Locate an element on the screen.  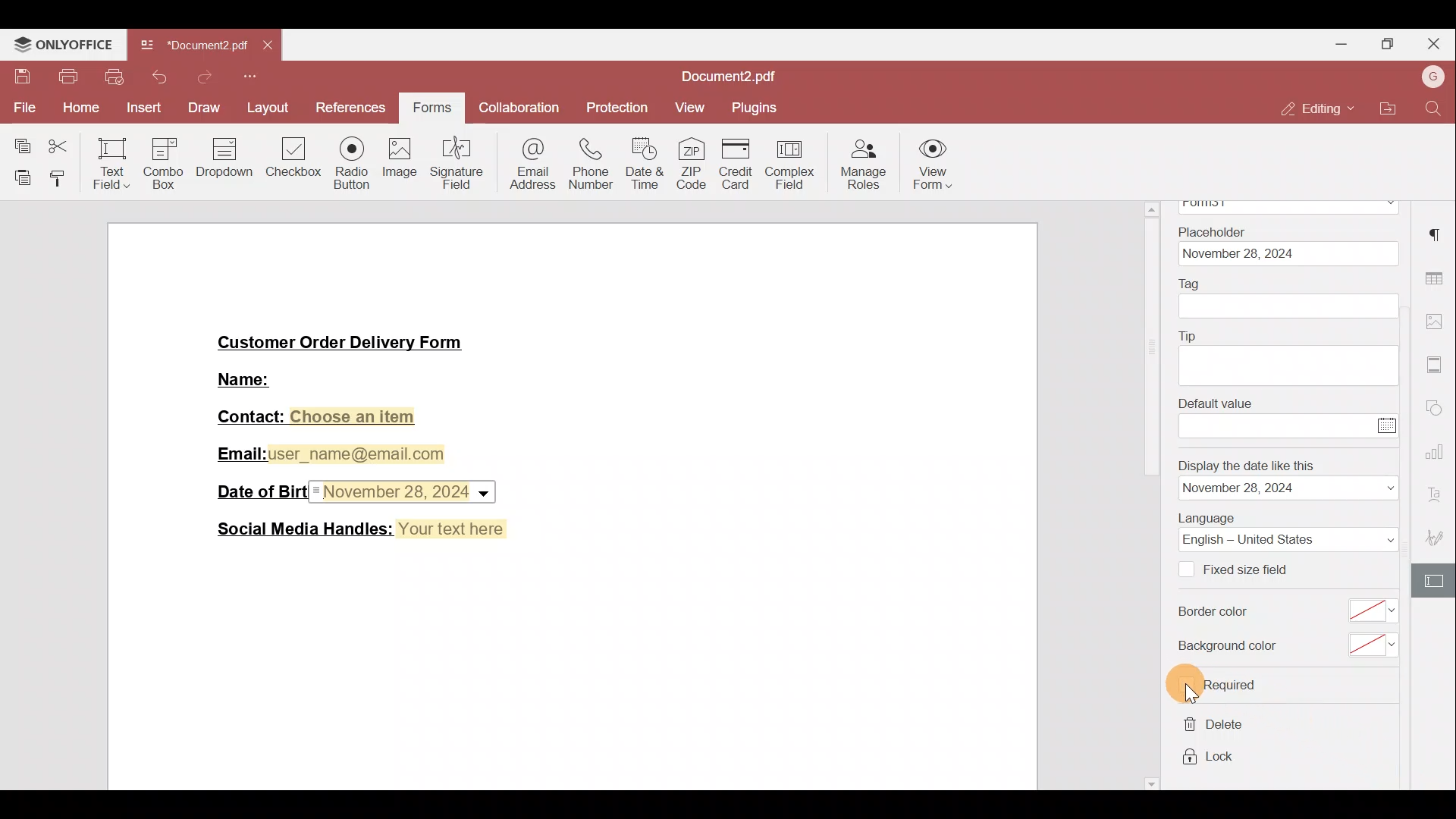
Save is located at coordinates (18, 74).